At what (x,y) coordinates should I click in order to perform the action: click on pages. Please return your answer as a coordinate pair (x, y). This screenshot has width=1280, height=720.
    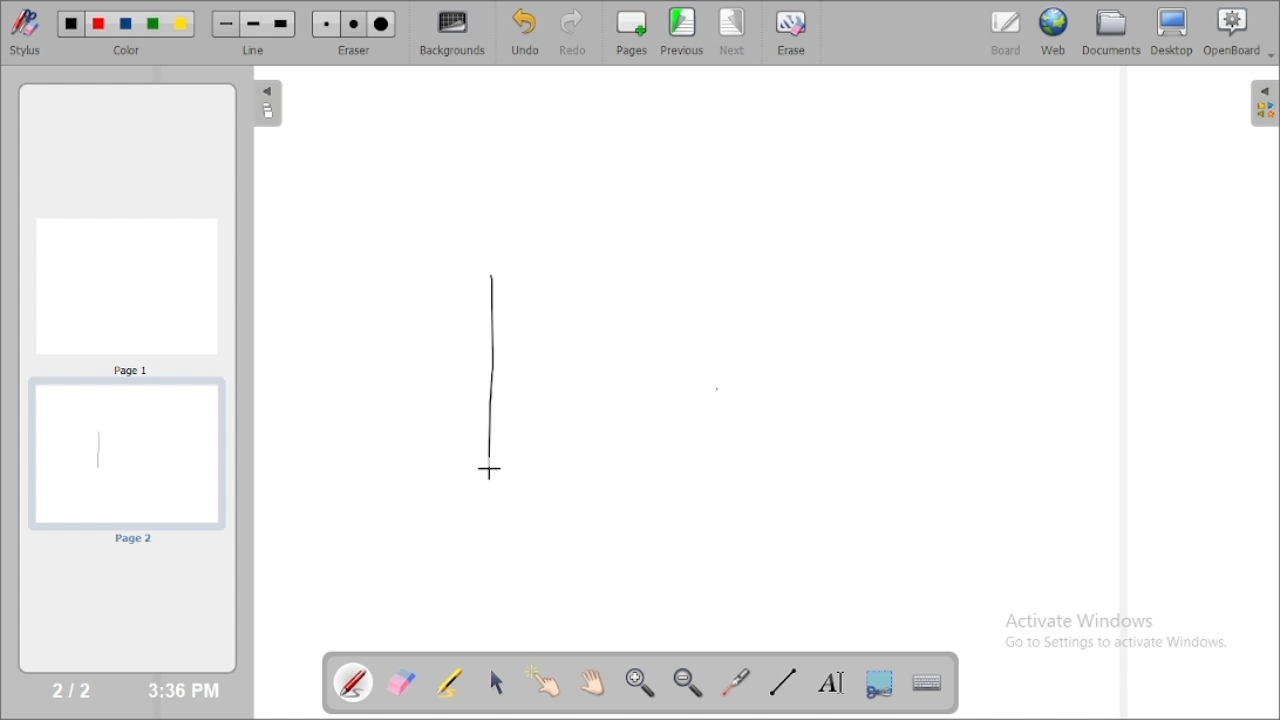
    Looking at the image, I should click on (632, 32).